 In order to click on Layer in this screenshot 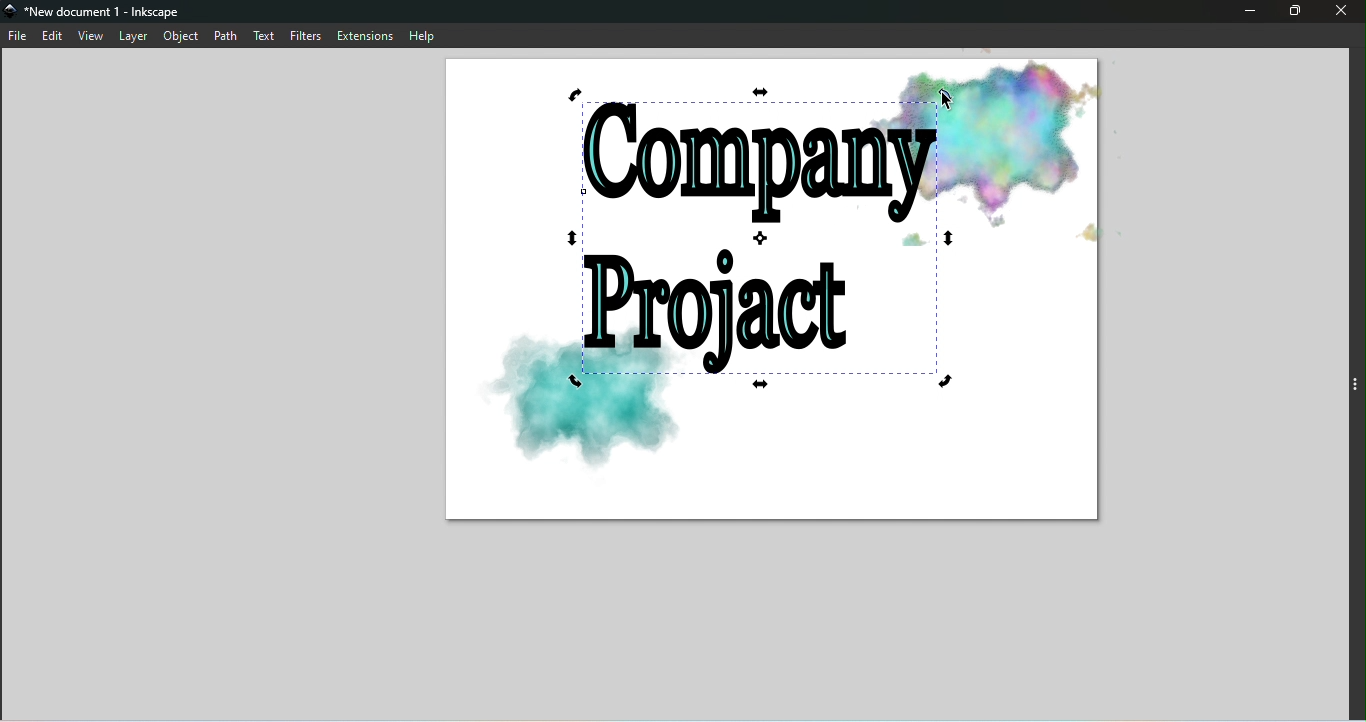, I will do `click(133, 37)`.